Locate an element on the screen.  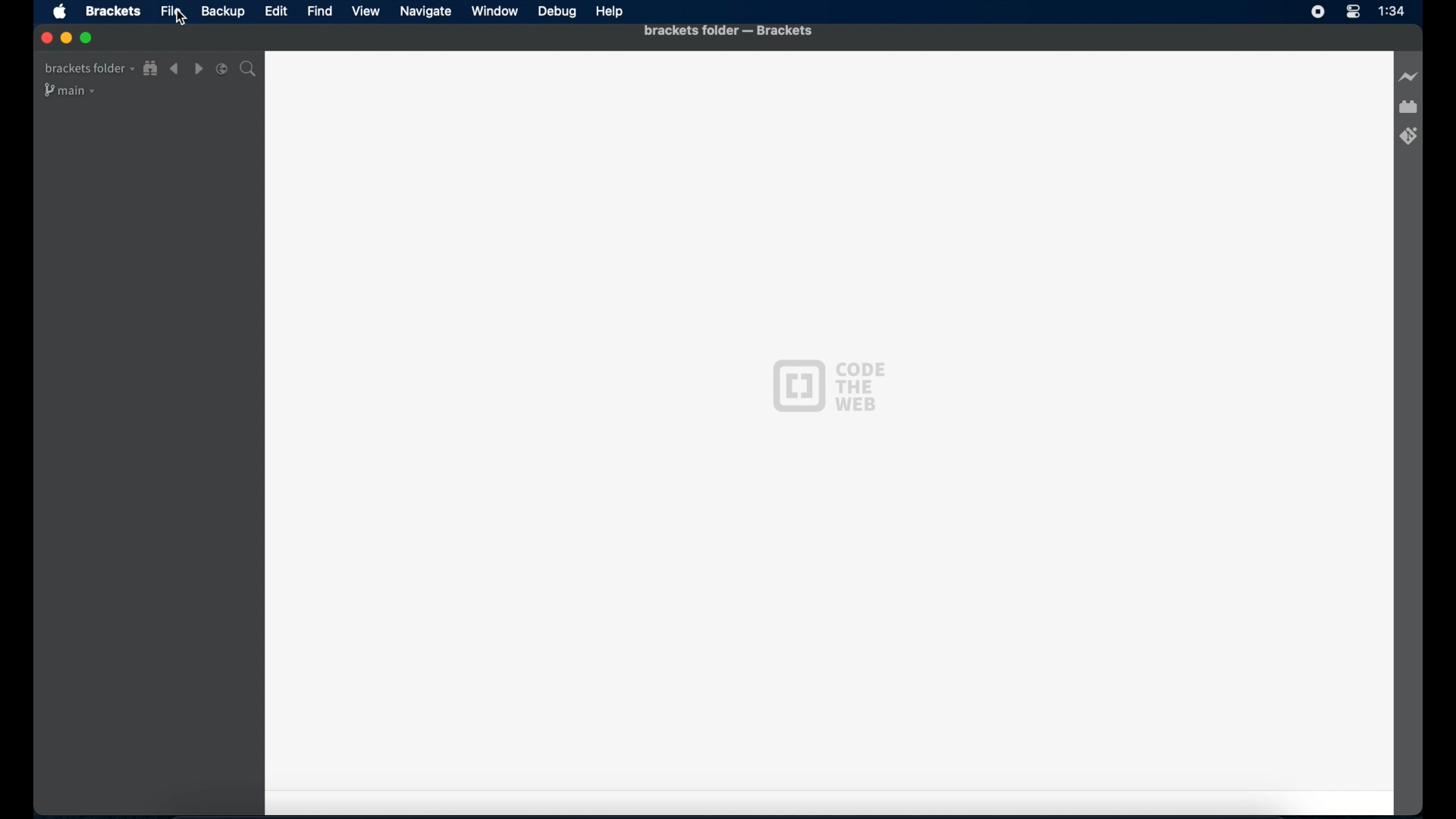
Debug is located at coordinates (557, 11).